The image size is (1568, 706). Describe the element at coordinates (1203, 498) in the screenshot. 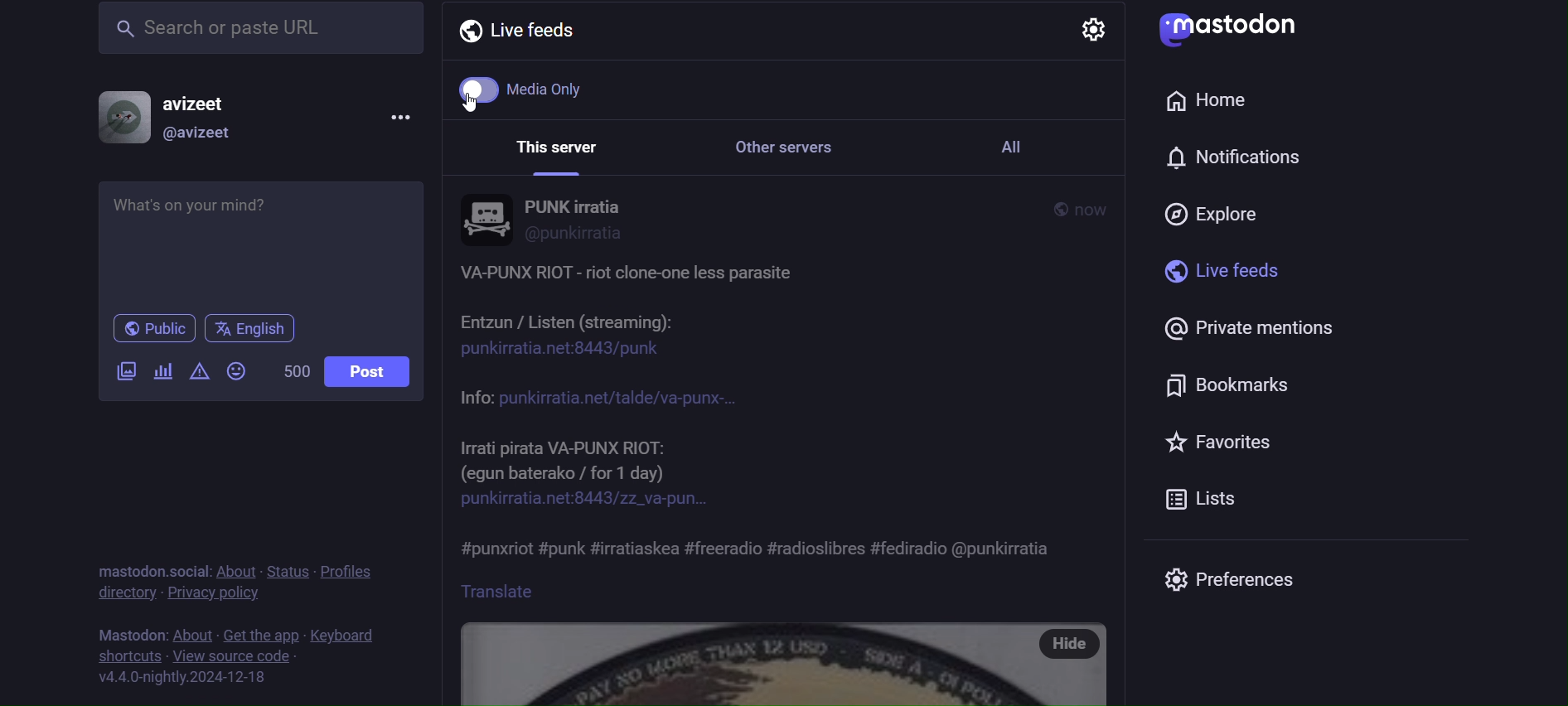

I see `Lists` at that location.